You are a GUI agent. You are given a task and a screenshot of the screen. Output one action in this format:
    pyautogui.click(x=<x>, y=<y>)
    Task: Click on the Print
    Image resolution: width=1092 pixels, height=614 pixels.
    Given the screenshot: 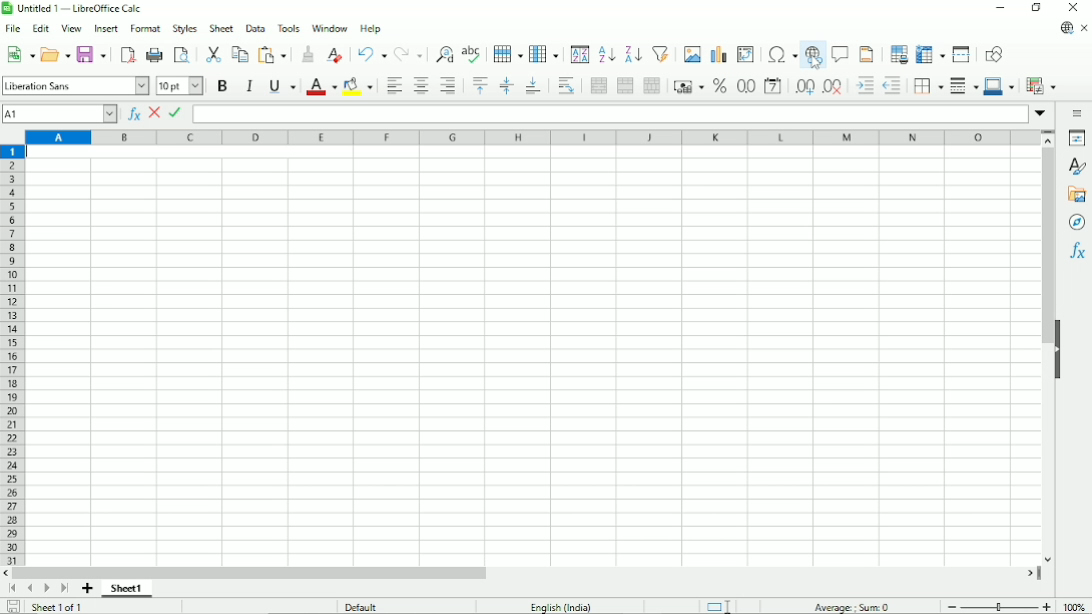 What is the action you would take?
    pyautogui.click(x=155, y=54)
    